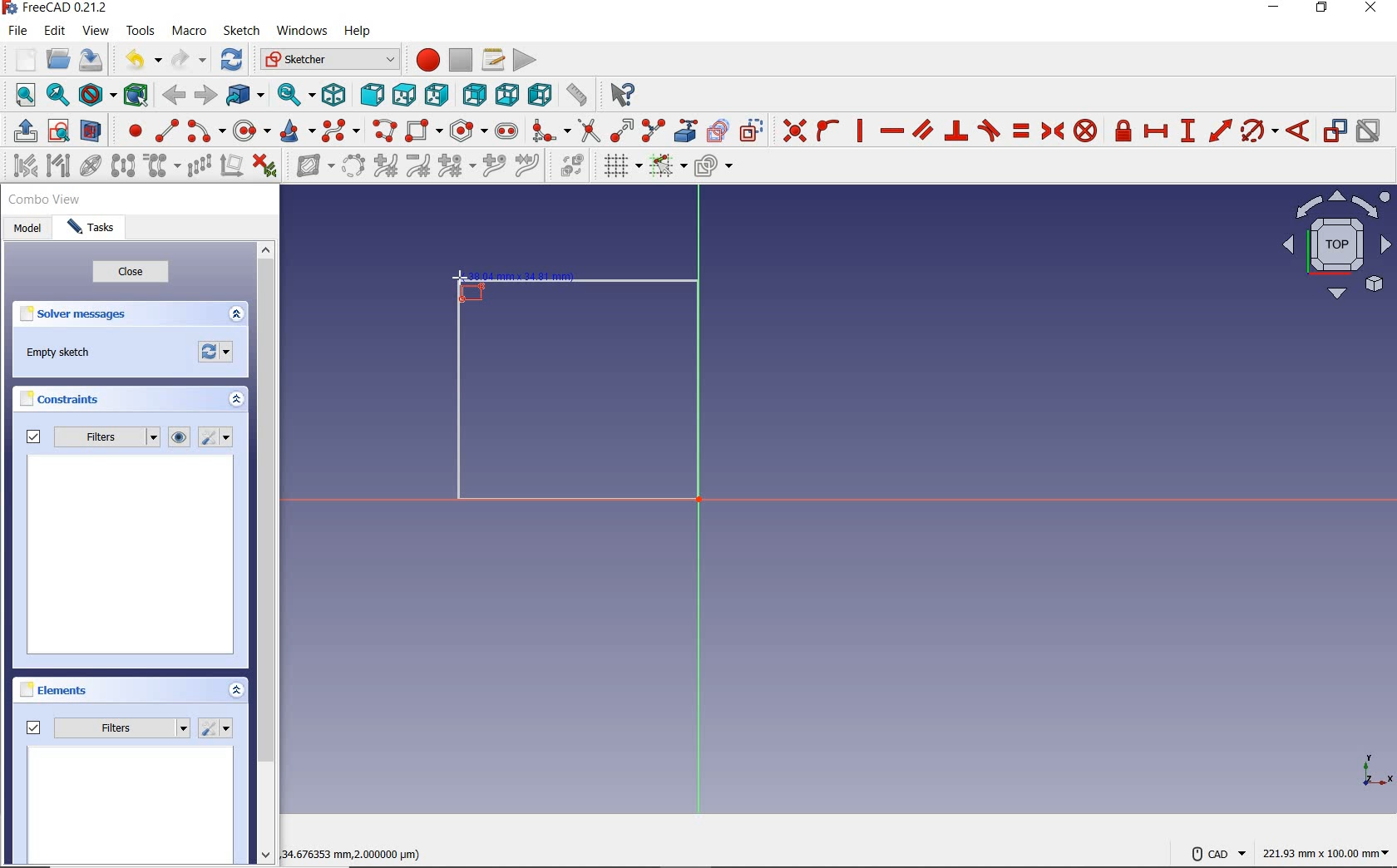 This screenshot has height=868, width=1397. I want to click on rectangle tool at point Y rising, so click(468, 287).